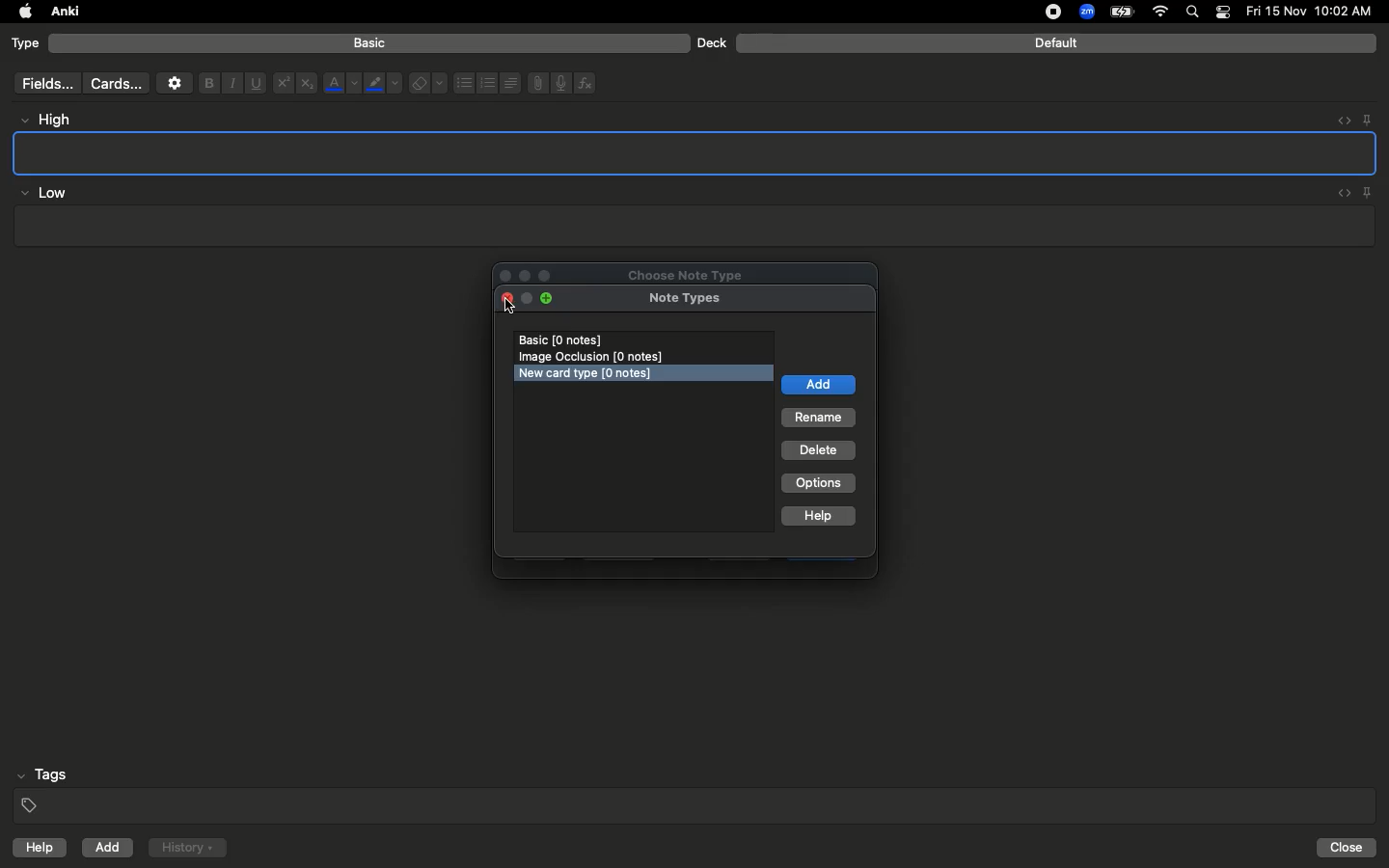 The width and height of the screenshot is (1389, 868). What do you see at coordinates (665, 272) in the screenshot?
I see `Choose note type` at bounding box center [665, 272].